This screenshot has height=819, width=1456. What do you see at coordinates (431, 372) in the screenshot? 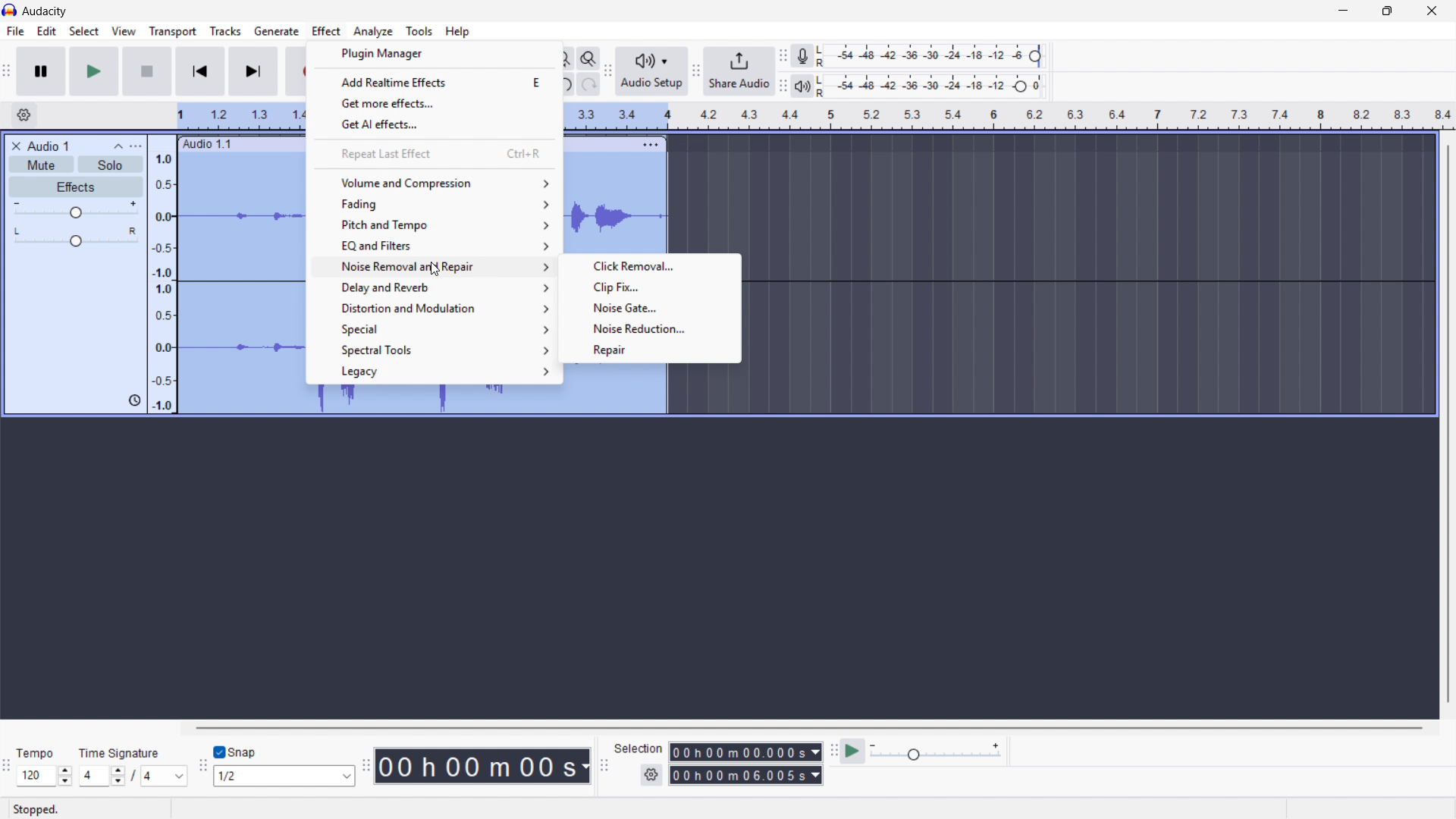
I see `Legacy ` at bounding box center [431, 372].